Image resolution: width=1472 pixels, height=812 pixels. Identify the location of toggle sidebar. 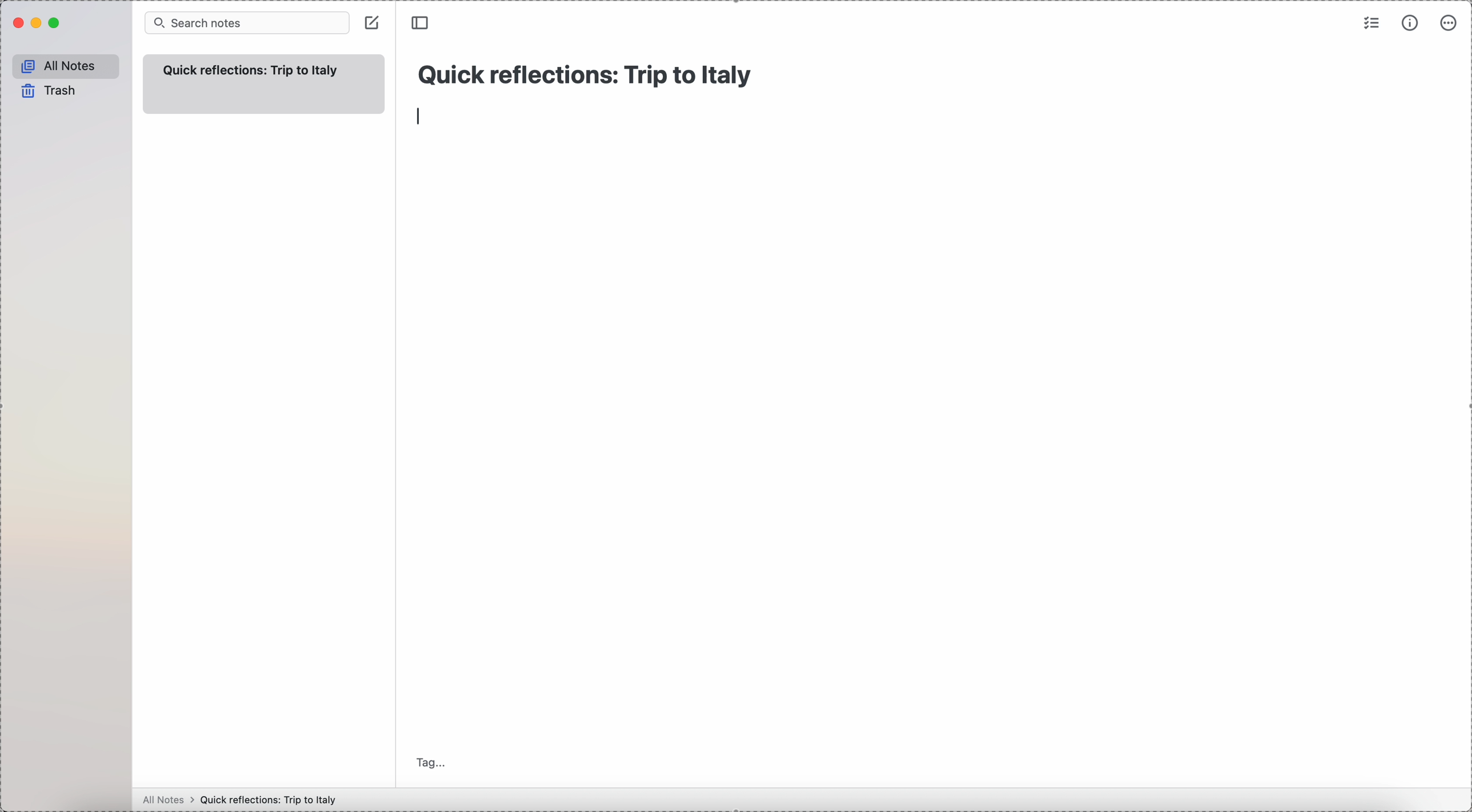
(422, 23).